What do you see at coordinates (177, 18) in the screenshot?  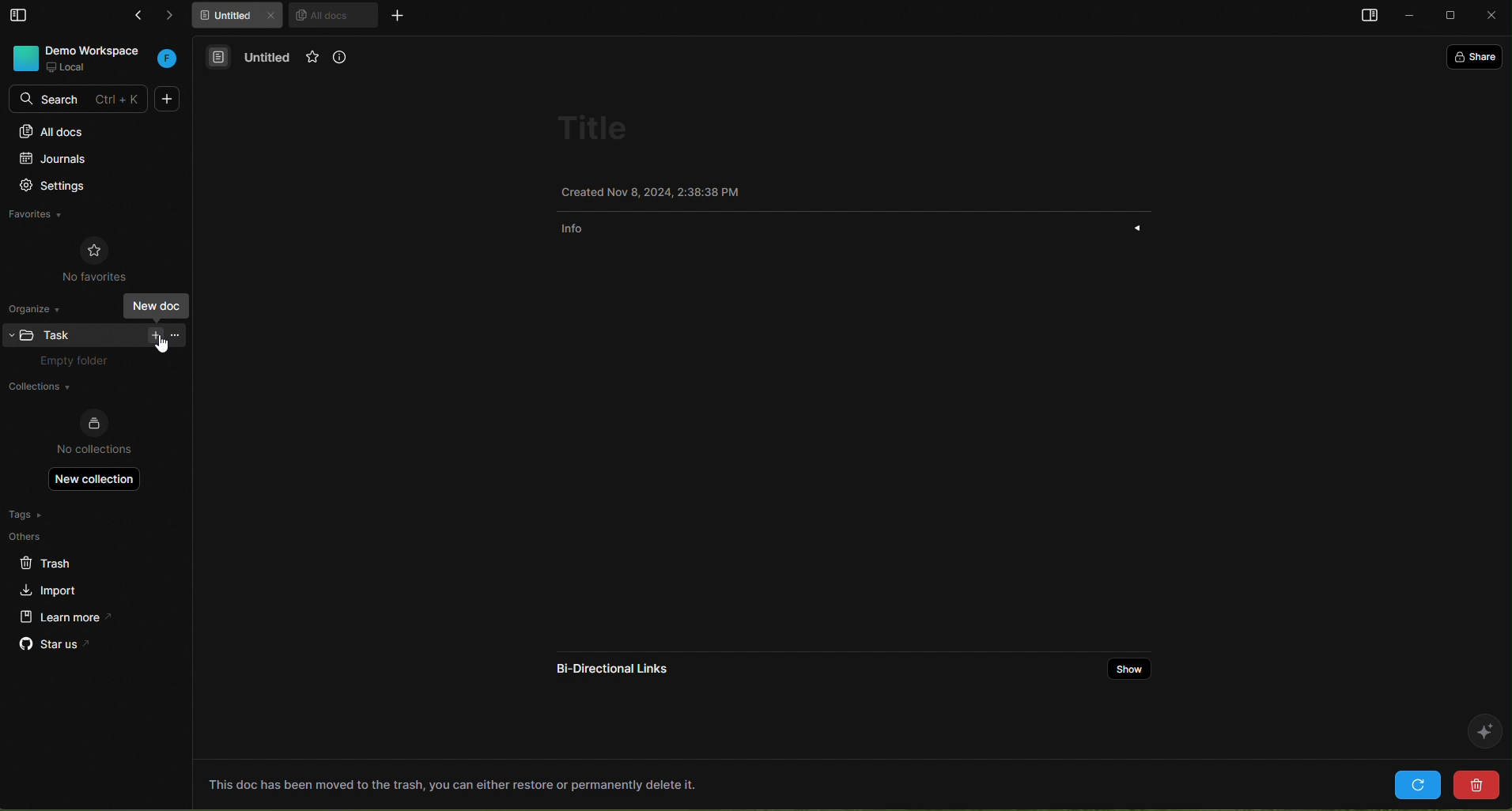 I see `forward` at bounding box center [177, 18].